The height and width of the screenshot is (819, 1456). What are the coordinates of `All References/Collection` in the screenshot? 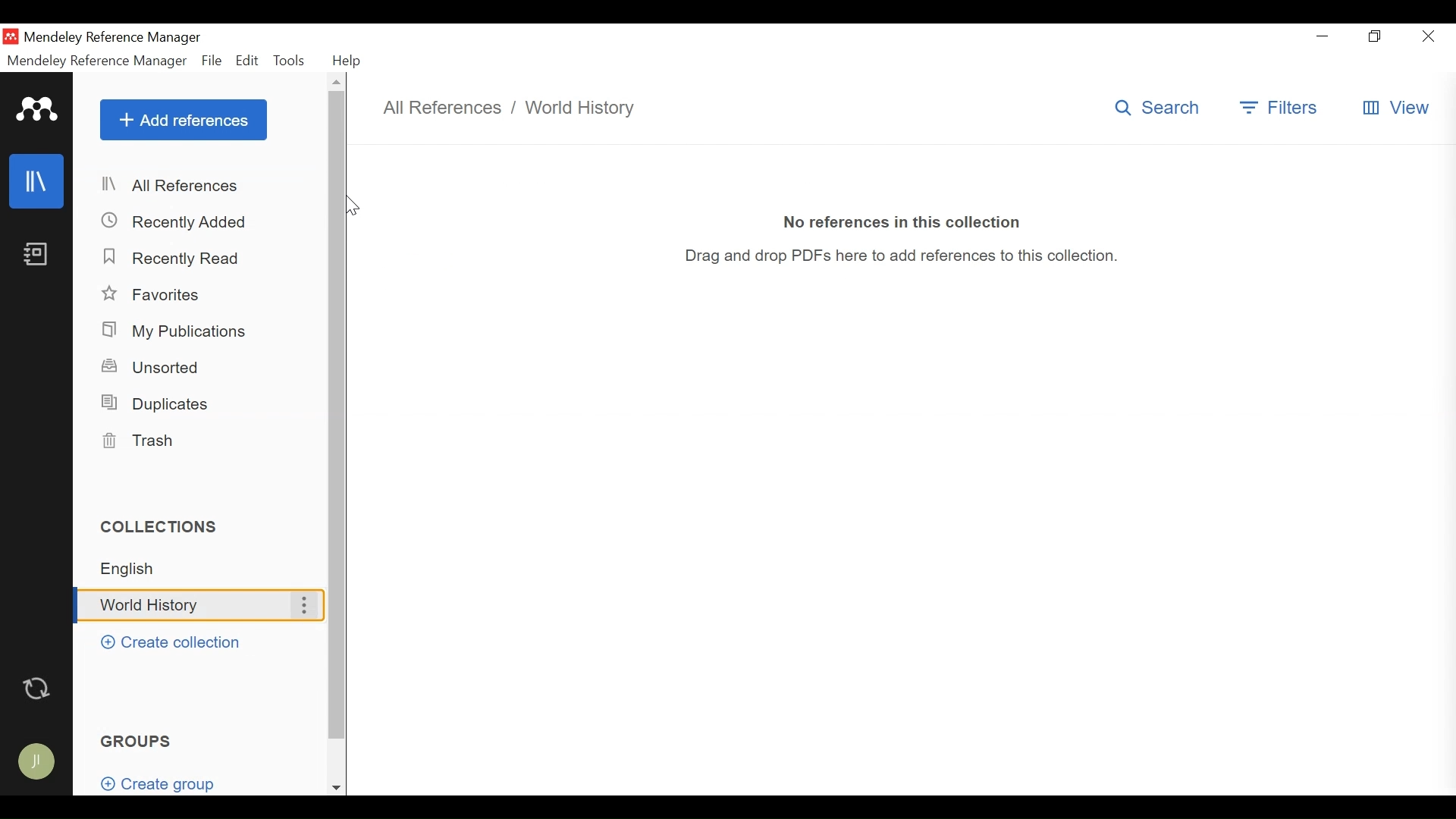 It's located at (517, 108).